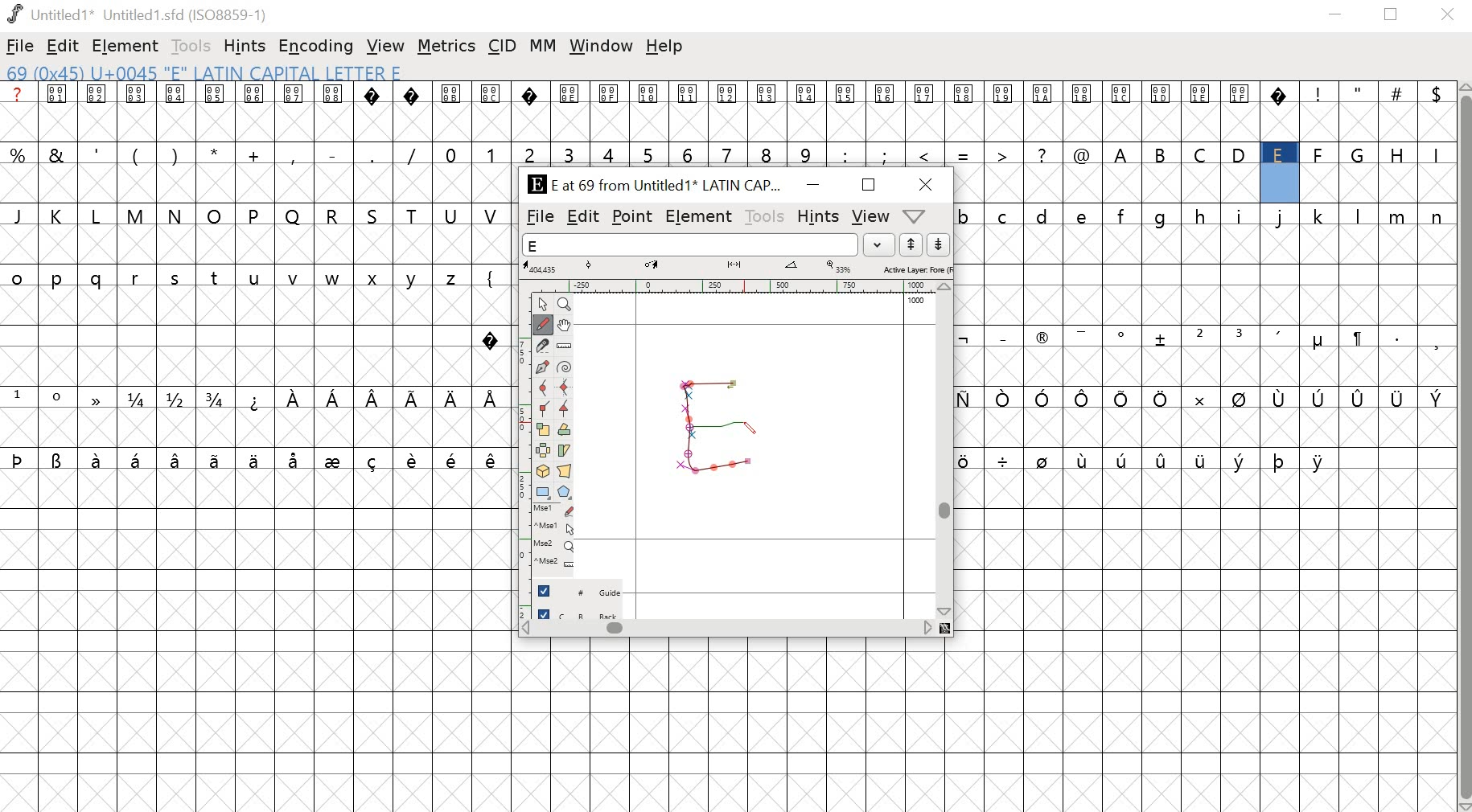  I want to click on Mouse wheel button + Ctrl, so click(553, 563).